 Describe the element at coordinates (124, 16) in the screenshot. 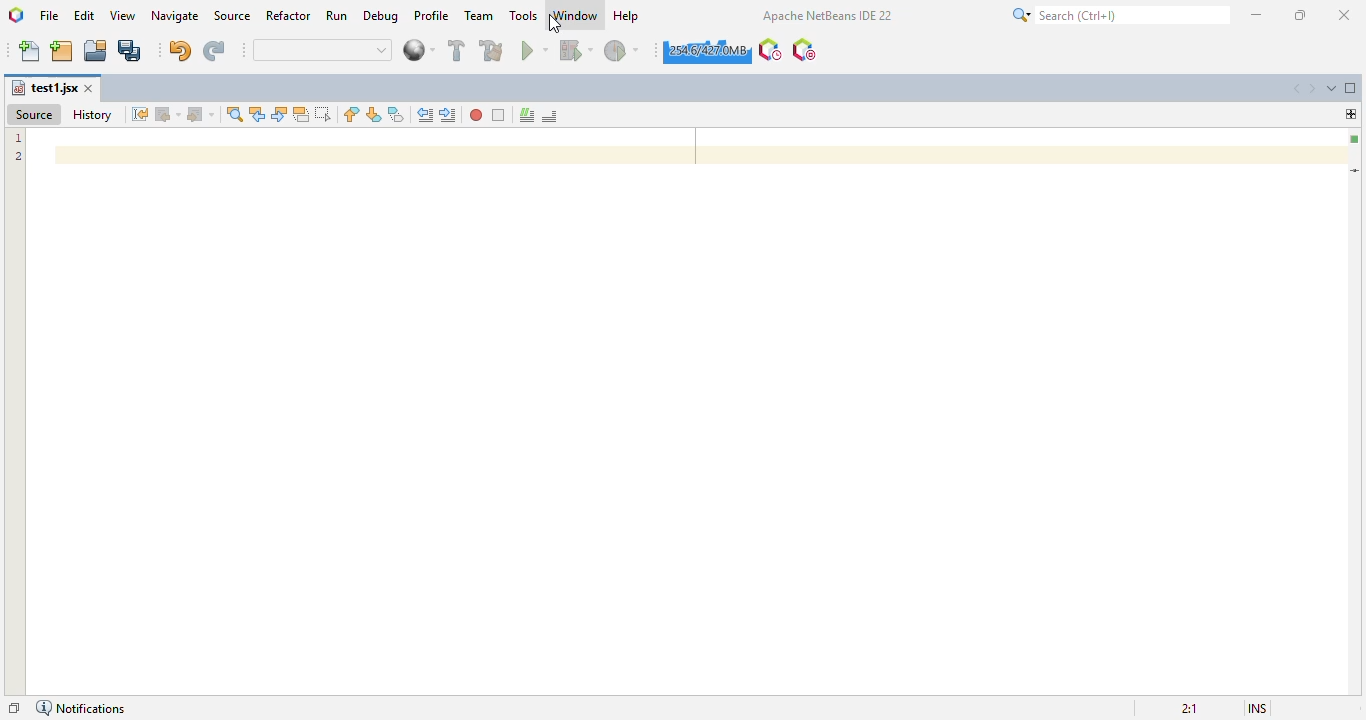

I see `view` at that location.